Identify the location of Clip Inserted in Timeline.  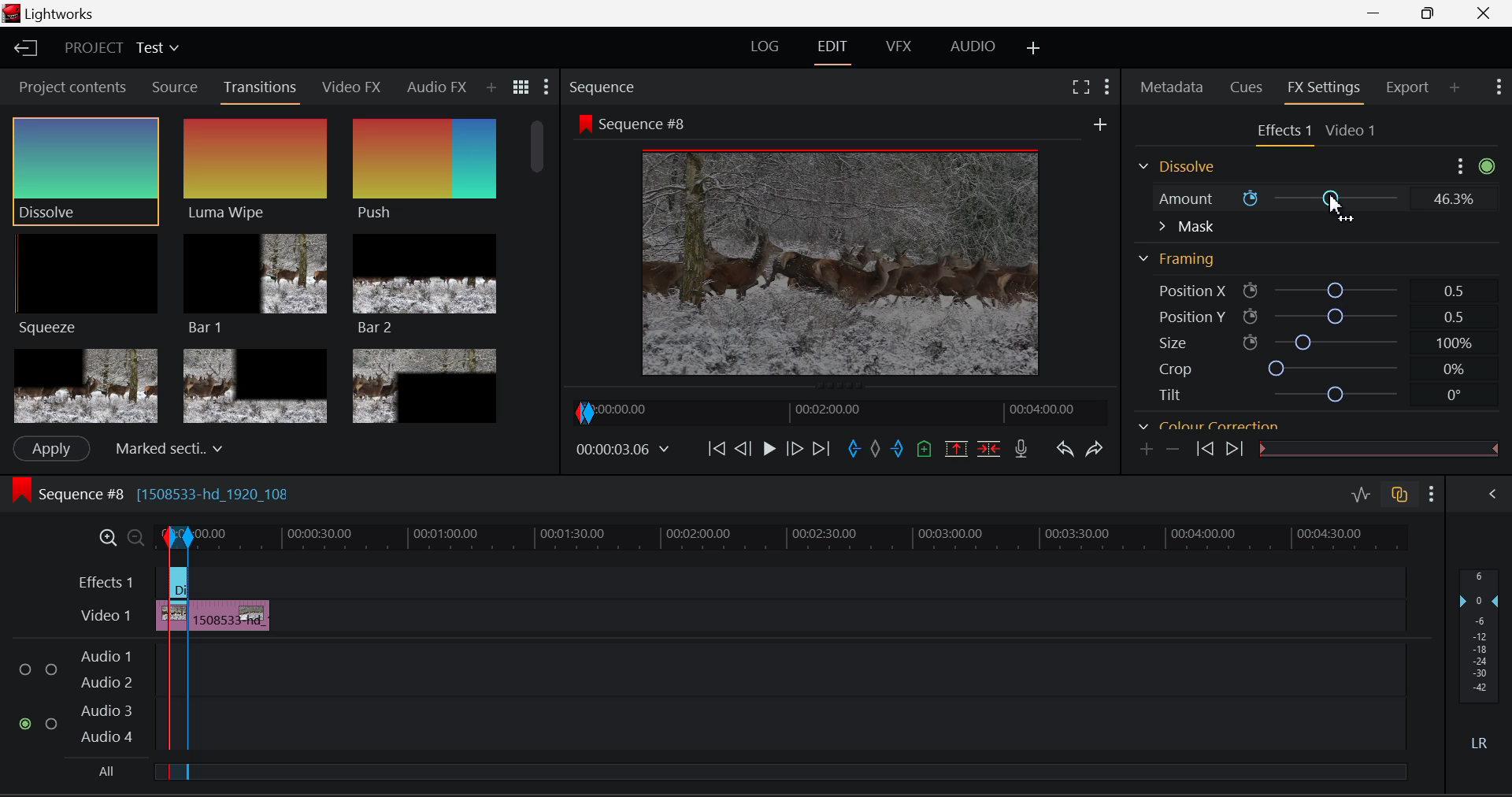
(231, 613).